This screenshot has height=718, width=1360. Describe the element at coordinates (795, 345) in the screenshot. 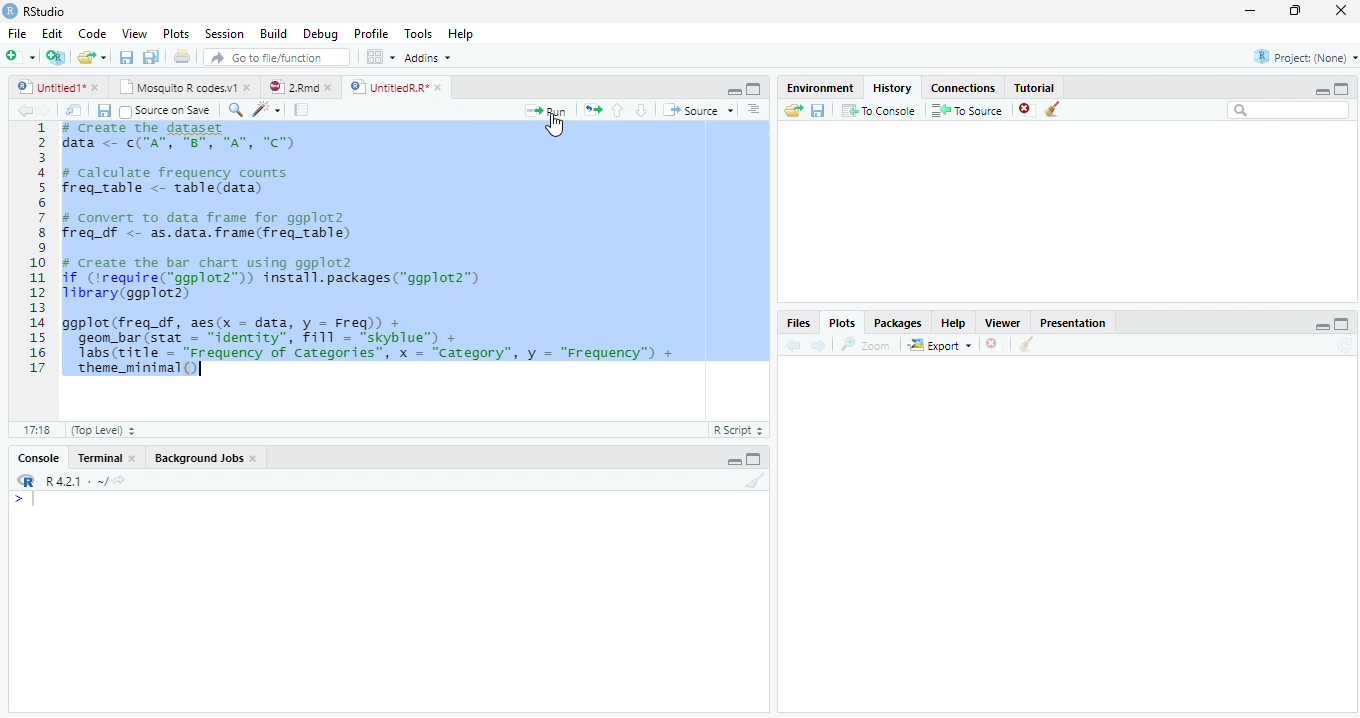

I see `Back` at that location.